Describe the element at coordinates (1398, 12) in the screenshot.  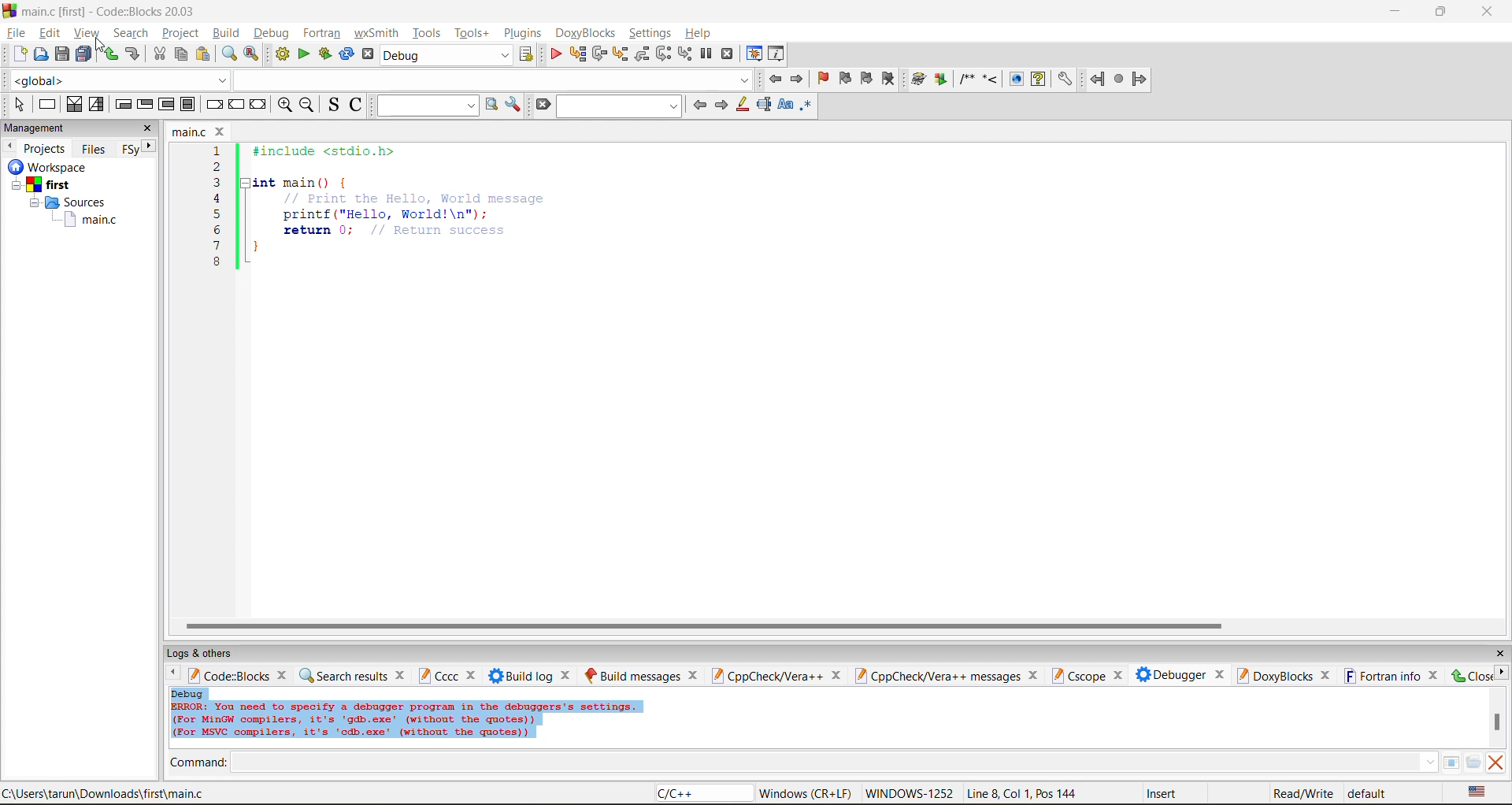
I see `minimize` at that location.